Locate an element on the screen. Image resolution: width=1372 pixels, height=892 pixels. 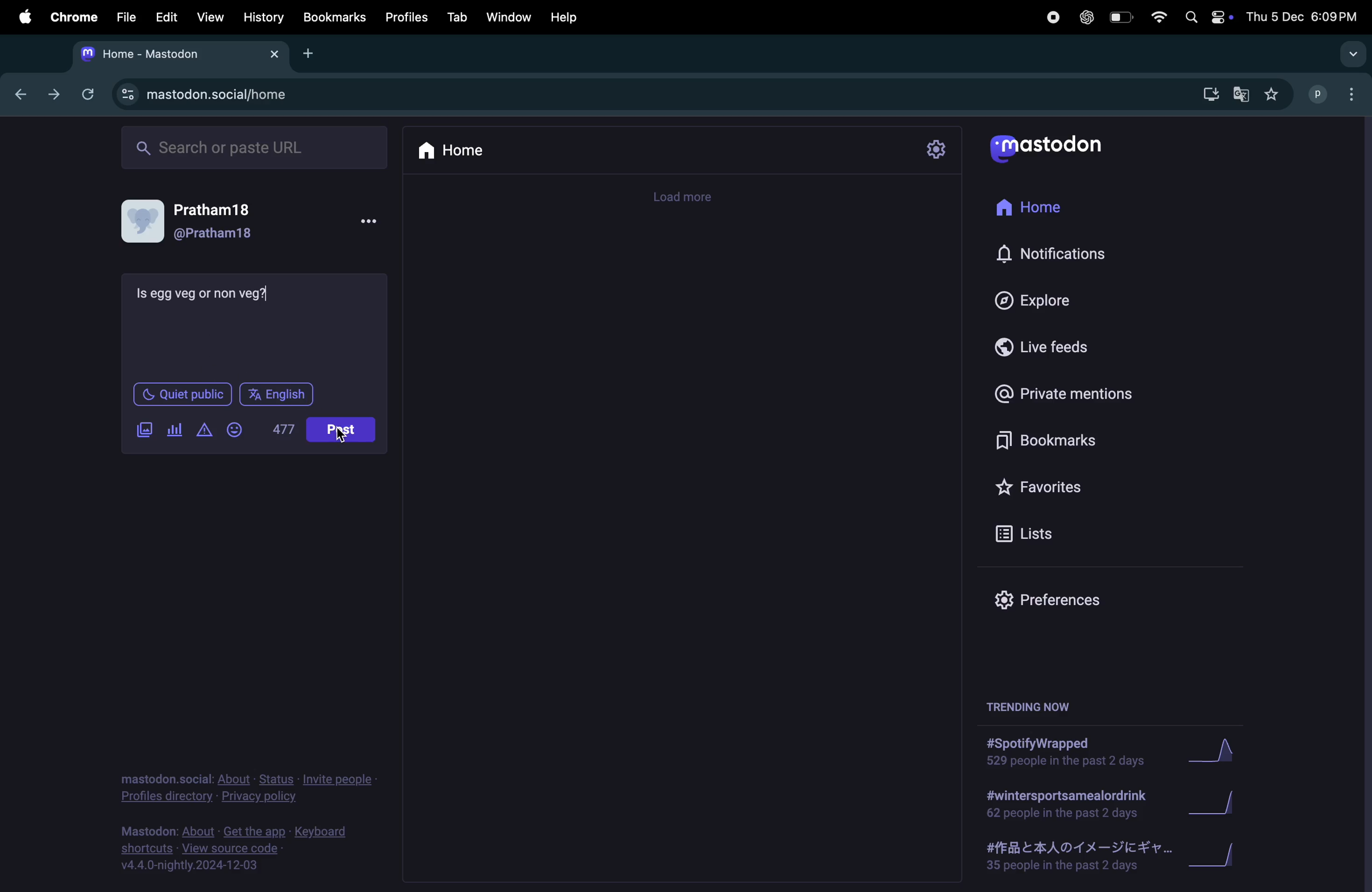
addtab is located at coordinates (312, 52).